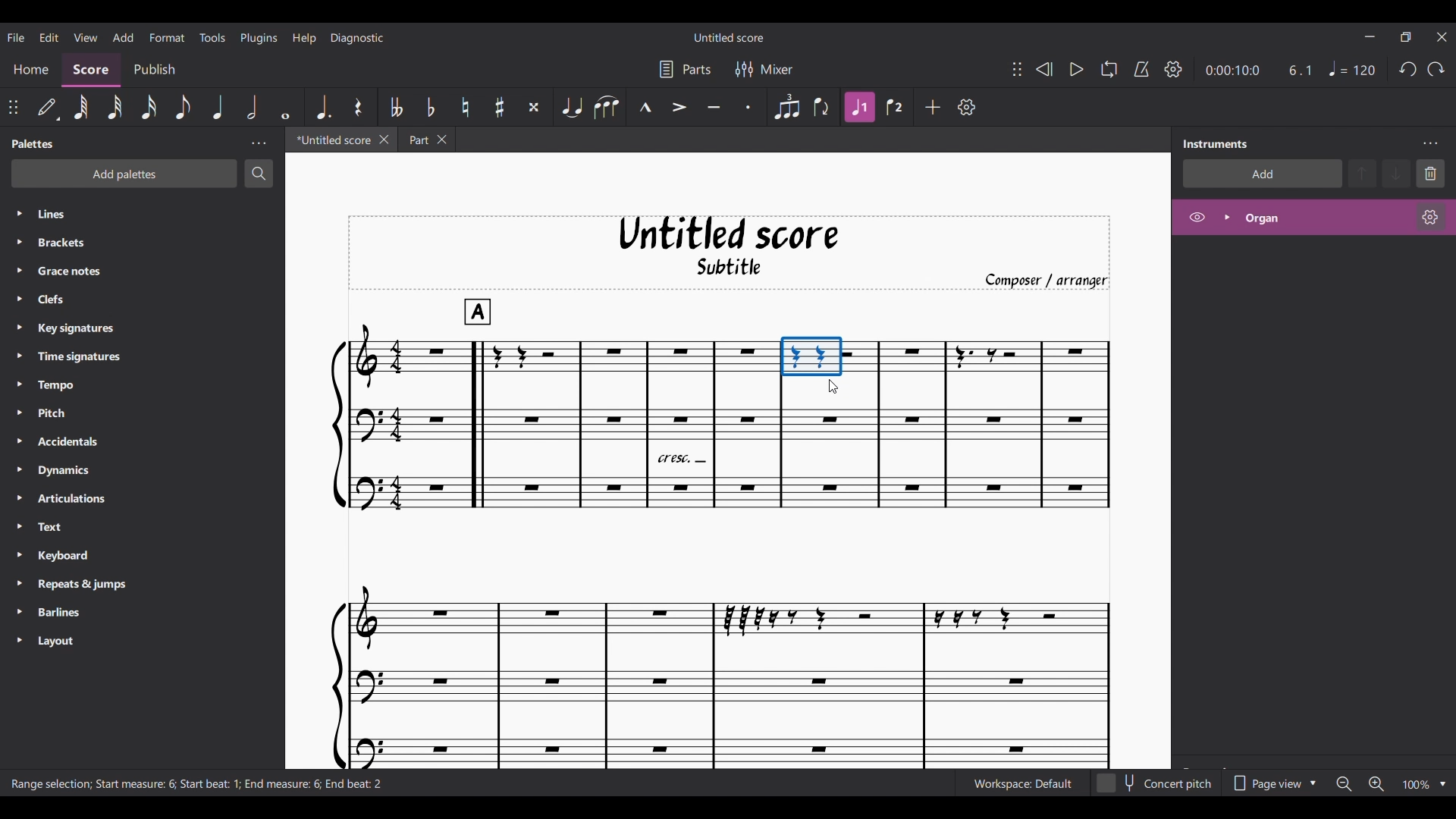 The image size is (1456, 819). I want to click on Staccato, so click(748, 108).